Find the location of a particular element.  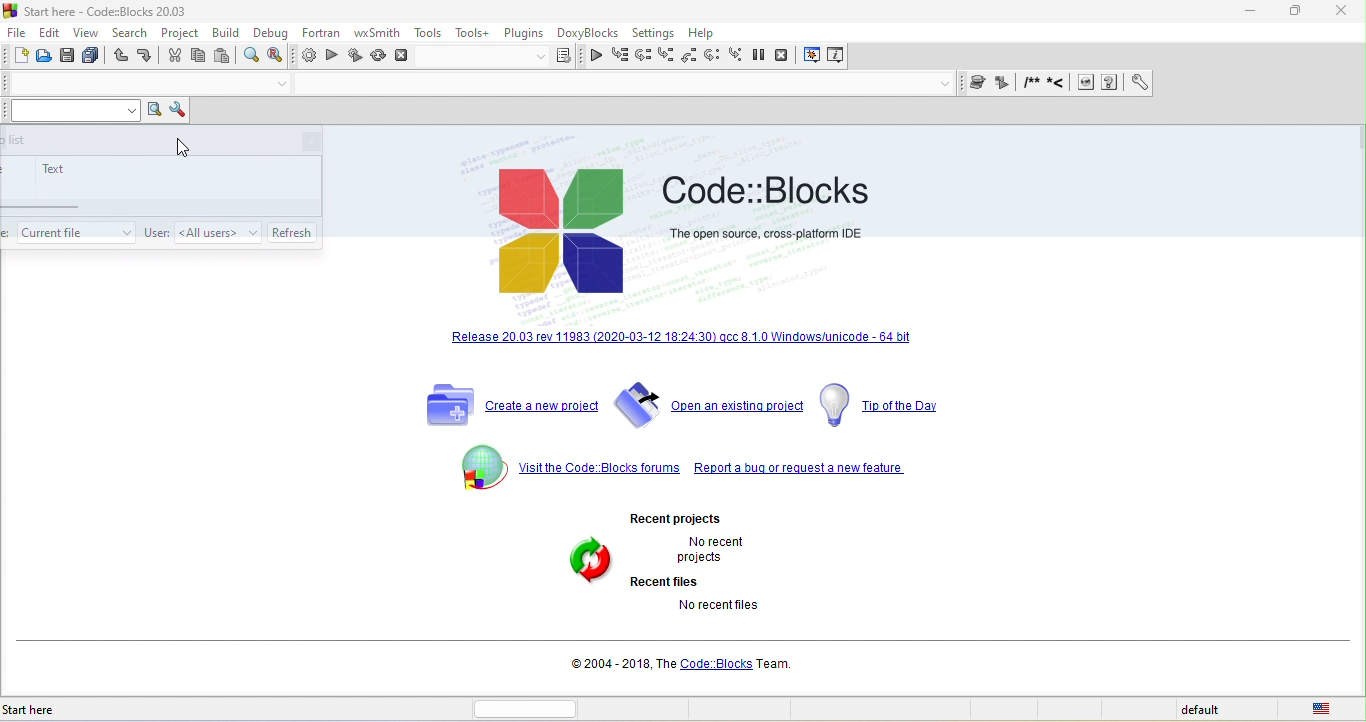

break debugger is located at coordinates (765, 57).